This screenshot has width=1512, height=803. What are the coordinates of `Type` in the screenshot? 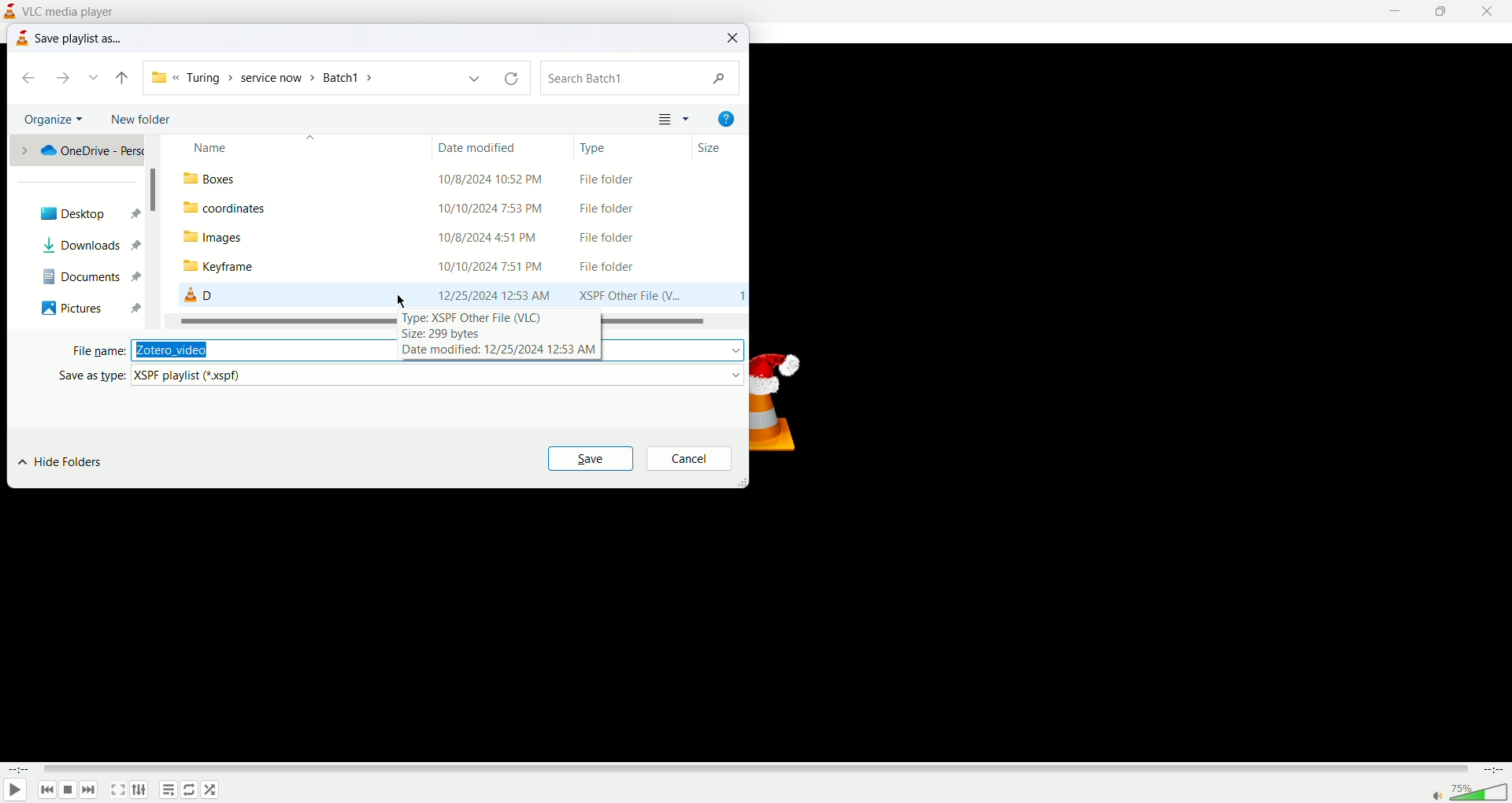 It's located at (603, 149).